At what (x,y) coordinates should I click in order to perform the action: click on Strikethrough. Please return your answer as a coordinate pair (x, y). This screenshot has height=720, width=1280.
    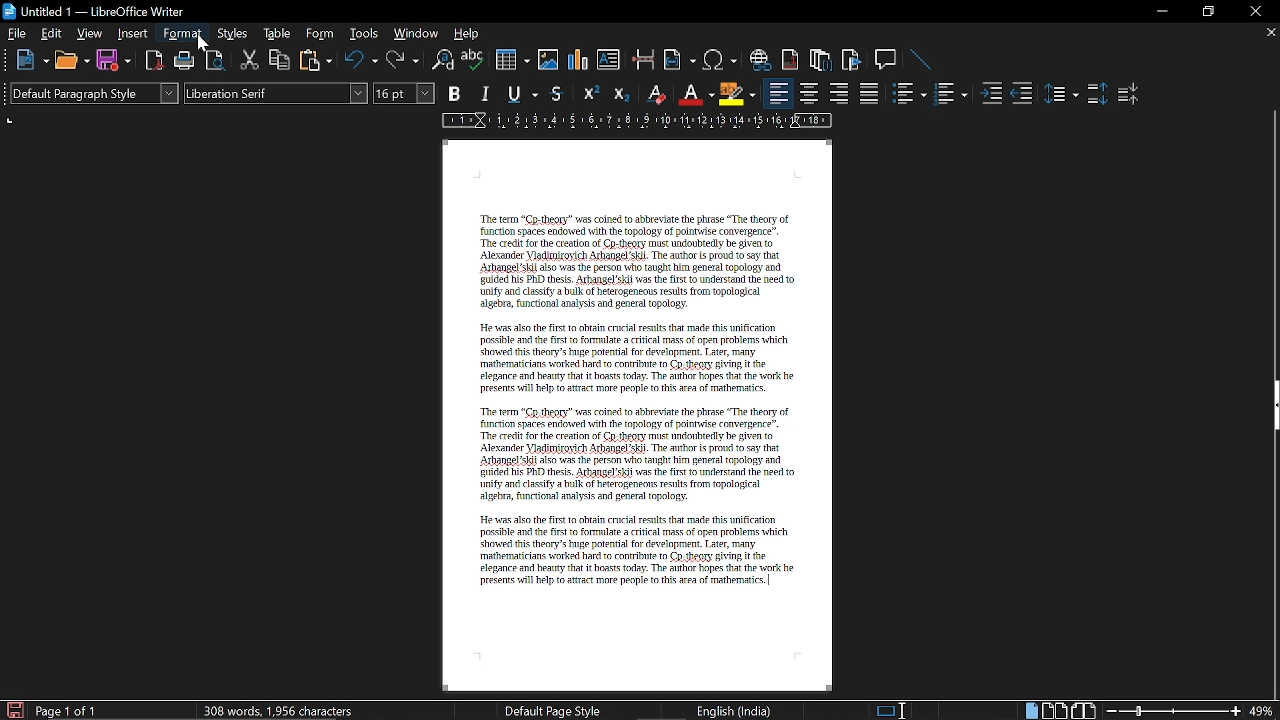
    Looking at the image, I should click on (561, 94).